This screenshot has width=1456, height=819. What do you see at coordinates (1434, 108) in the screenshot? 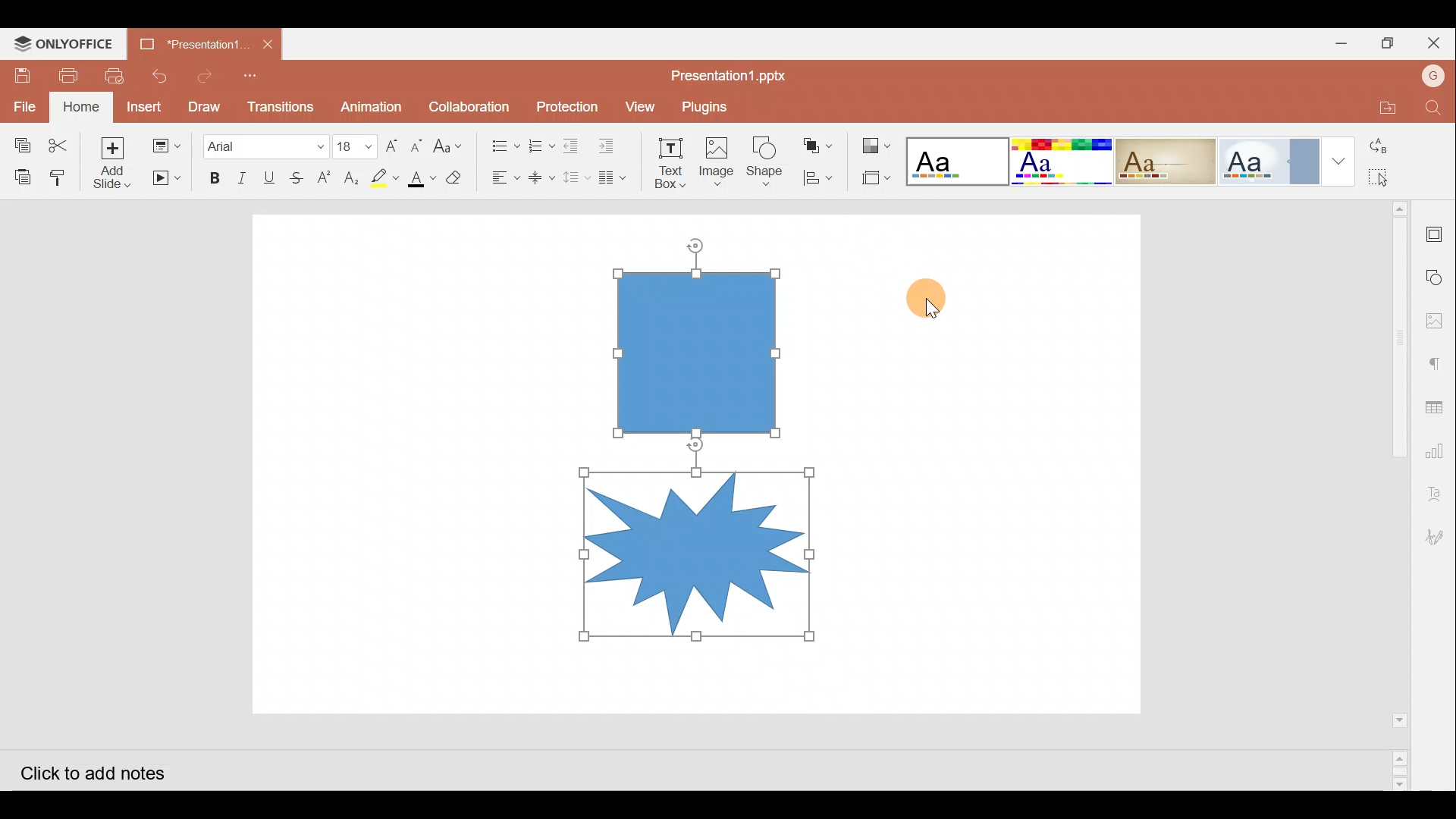
I see `Find` at bounding box center [1434, 108].